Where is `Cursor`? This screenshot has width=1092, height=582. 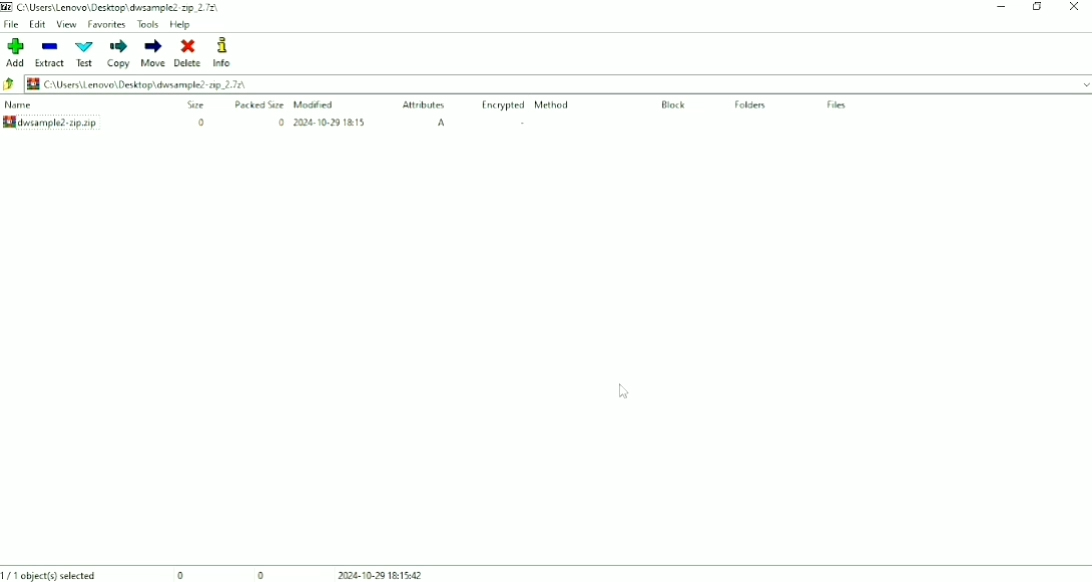
Cursor is located at coordinates (624, 392).